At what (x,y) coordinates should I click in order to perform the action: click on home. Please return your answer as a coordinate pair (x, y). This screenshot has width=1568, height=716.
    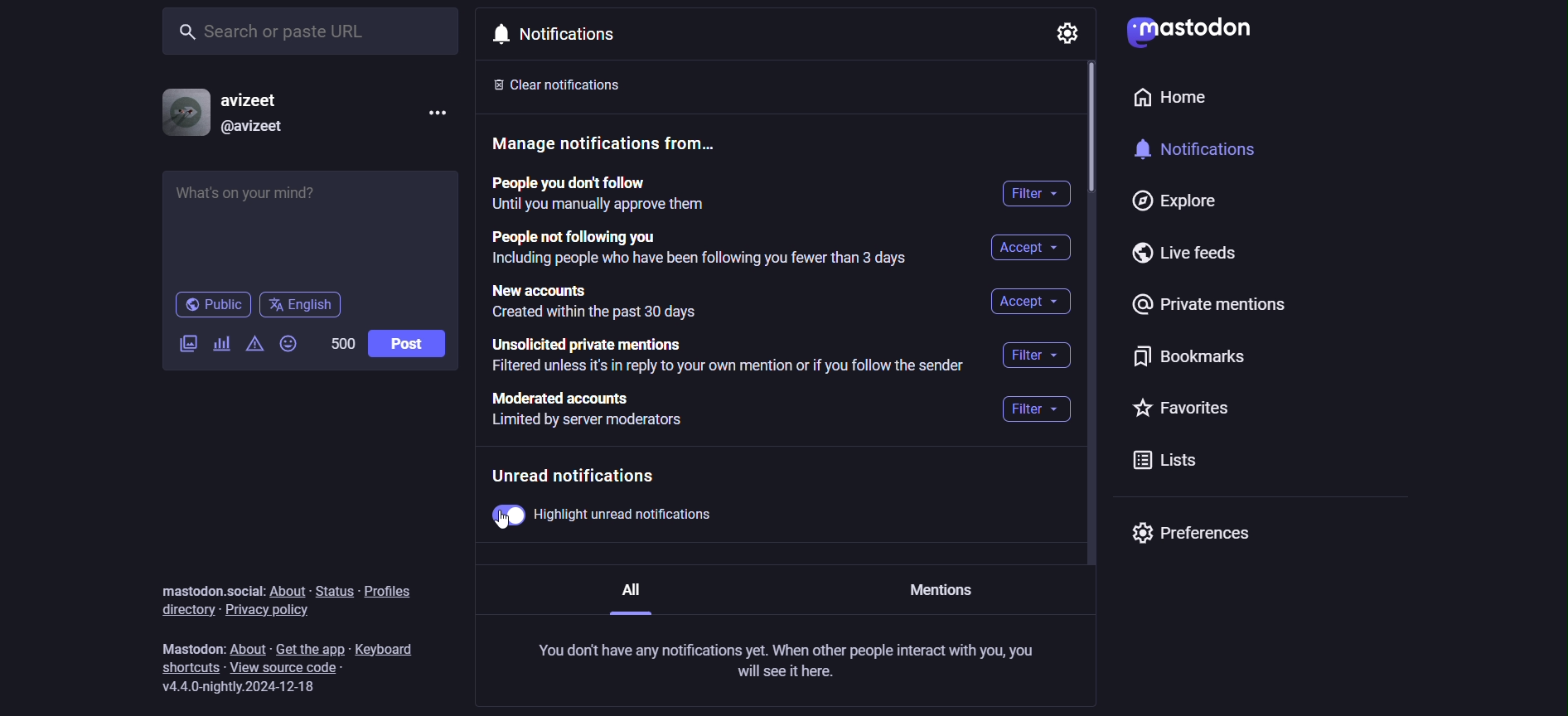
    Looking at the image, I should click on (1164, 101).